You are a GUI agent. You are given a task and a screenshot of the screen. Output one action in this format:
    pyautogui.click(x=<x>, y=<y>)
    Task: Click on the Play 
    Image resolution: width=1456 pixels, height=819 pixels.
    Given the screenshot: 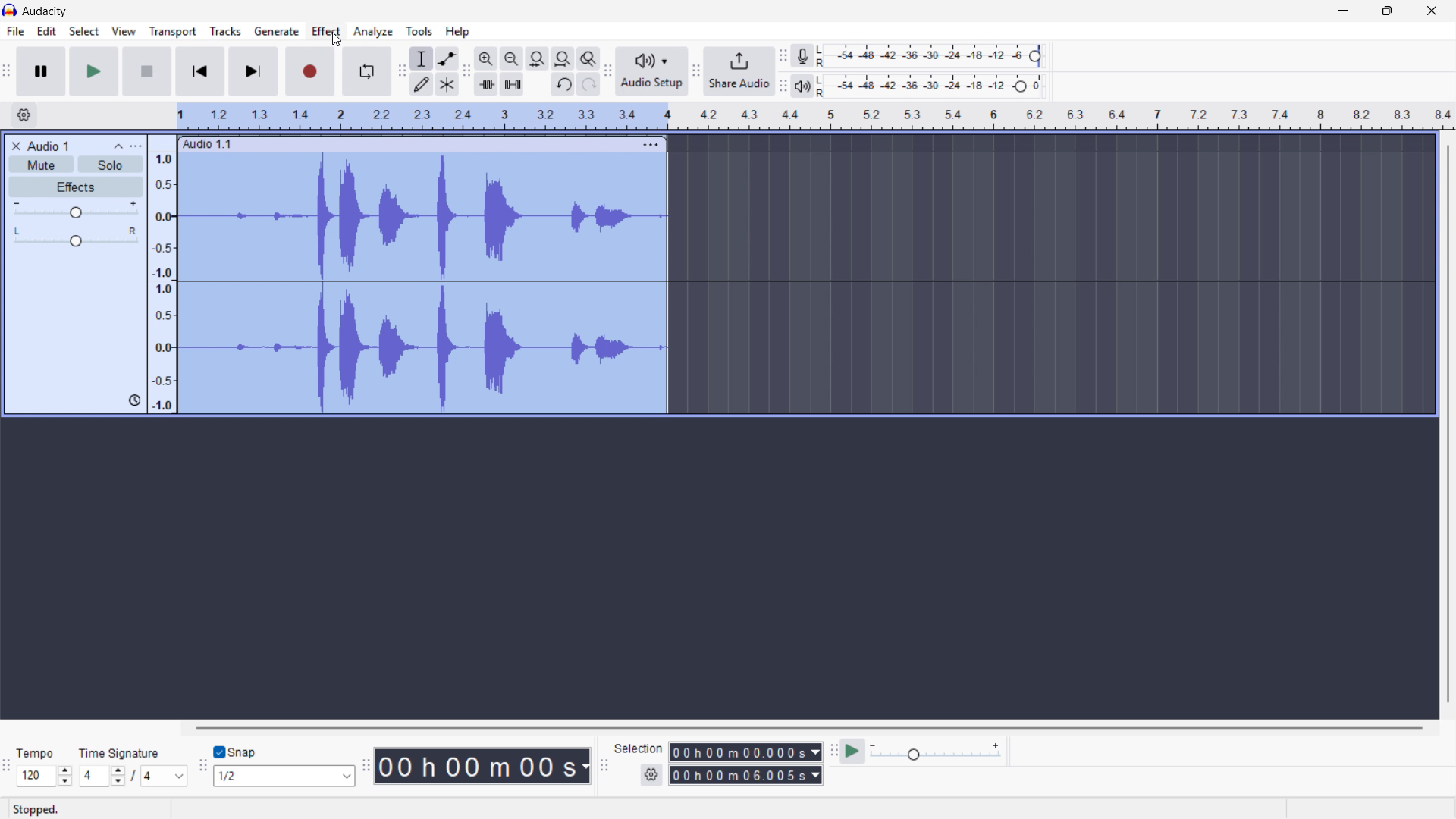 What is the action you would take?
    pyautogui.click(x=93, y=71)
    